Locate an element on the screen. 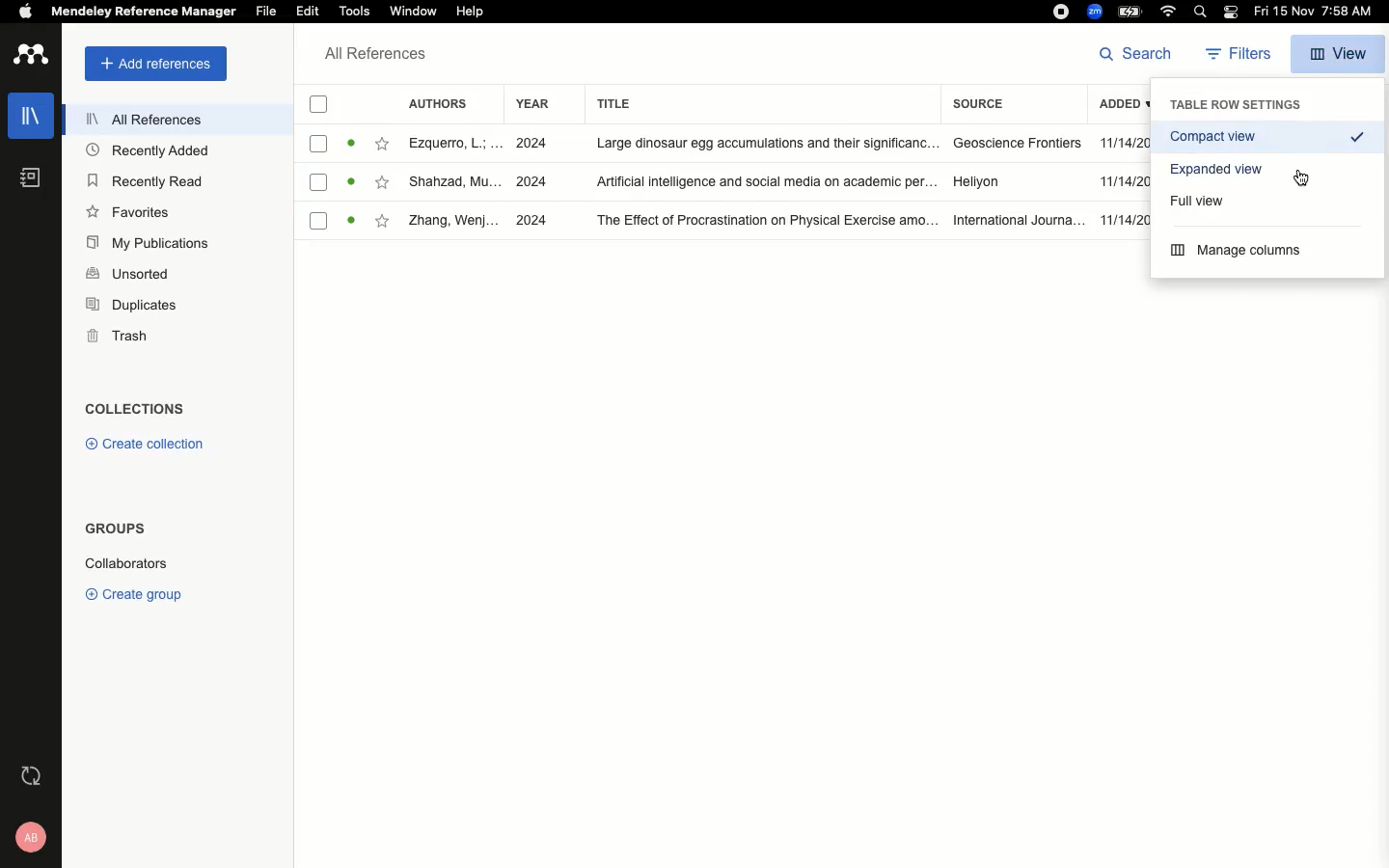 This screenshot has width=1389, height=868. Unsorted is located at coordinates (127, 272).